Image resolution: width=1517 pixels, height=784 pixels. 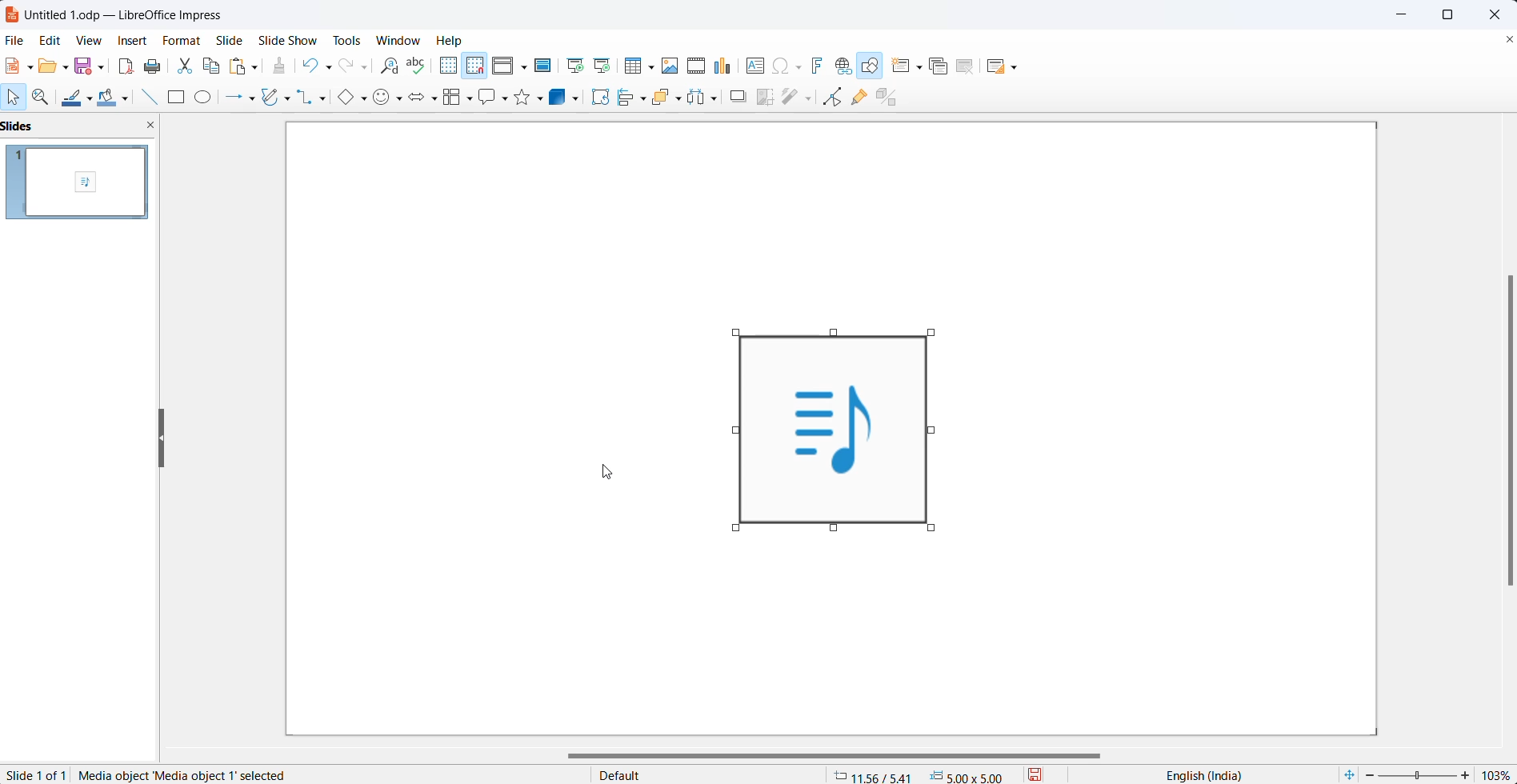 What do you see at coordinates (1497, 774) in the screenshot?
I see `zoom percentage` at bounding box center [1497, 774].